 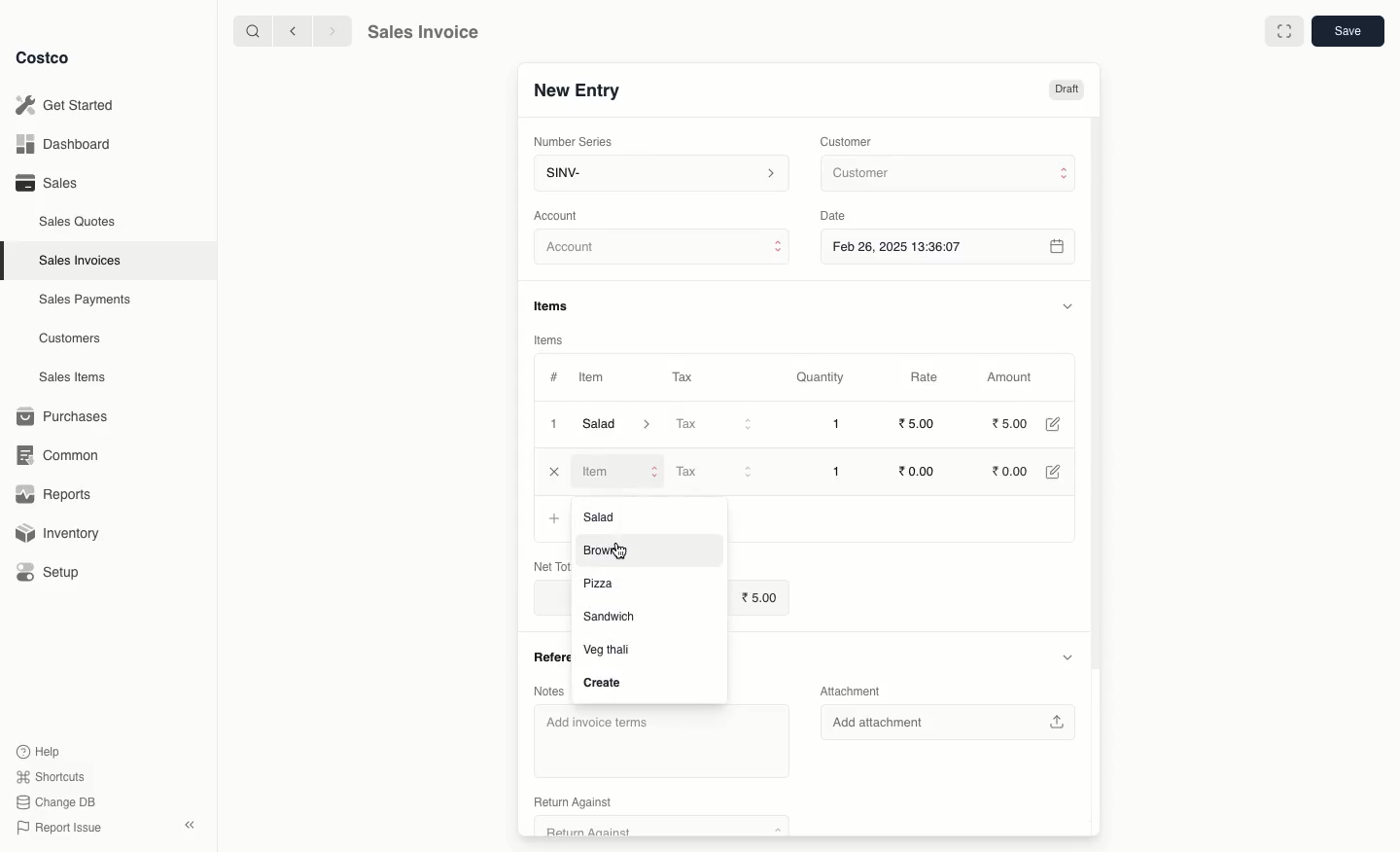 What do you see at coordinates (1067, 305) in the screenshot?
I see `Hide` at bounding box center [1067, 305].